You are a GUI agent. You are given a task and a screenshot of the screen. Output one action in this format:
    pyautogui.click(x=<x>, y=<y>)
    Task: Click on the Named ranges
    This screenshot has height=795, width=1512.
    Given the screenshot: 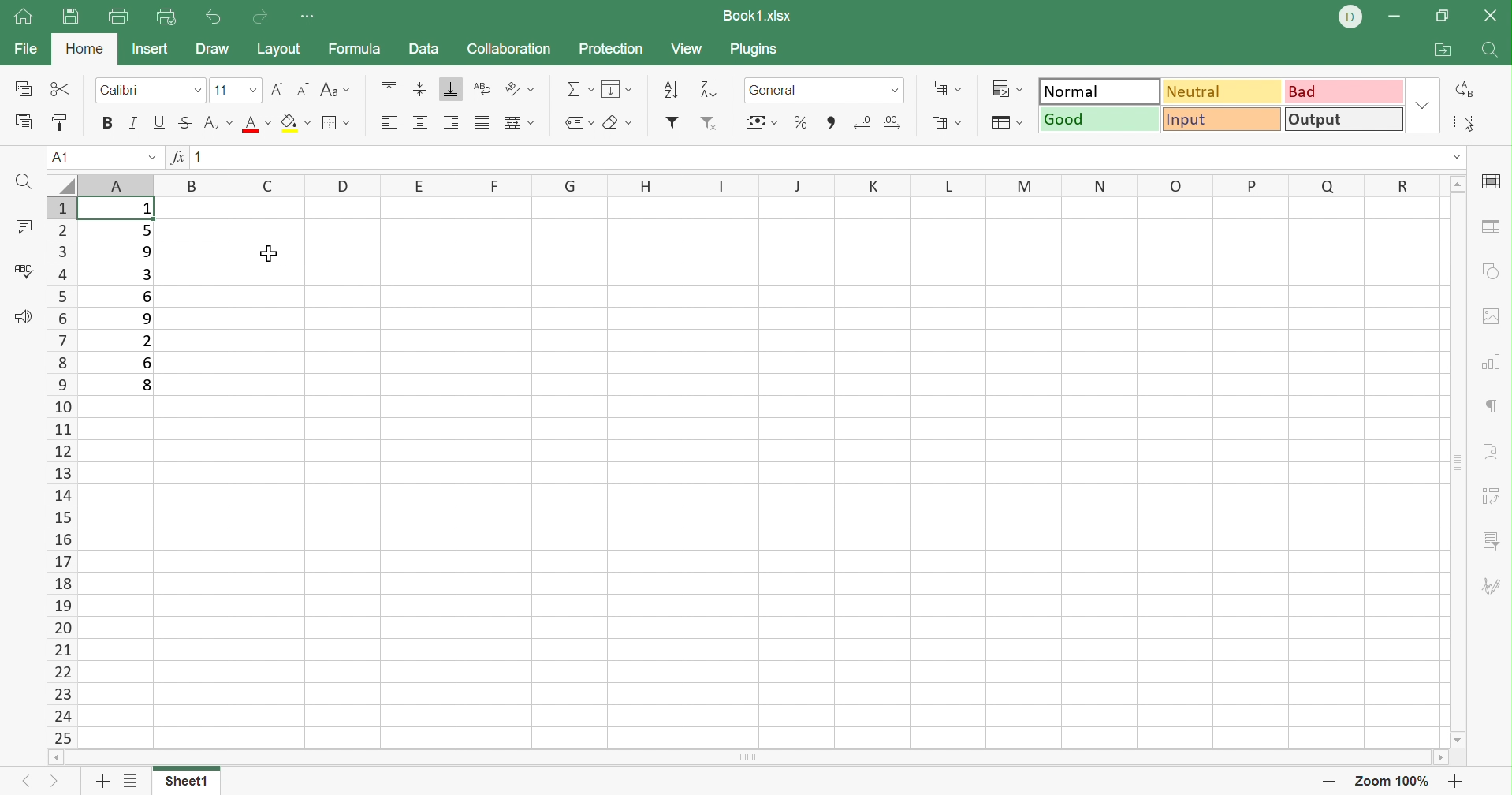 What is the action you would take?
    pyautogui.click(x=577, y=123)
    